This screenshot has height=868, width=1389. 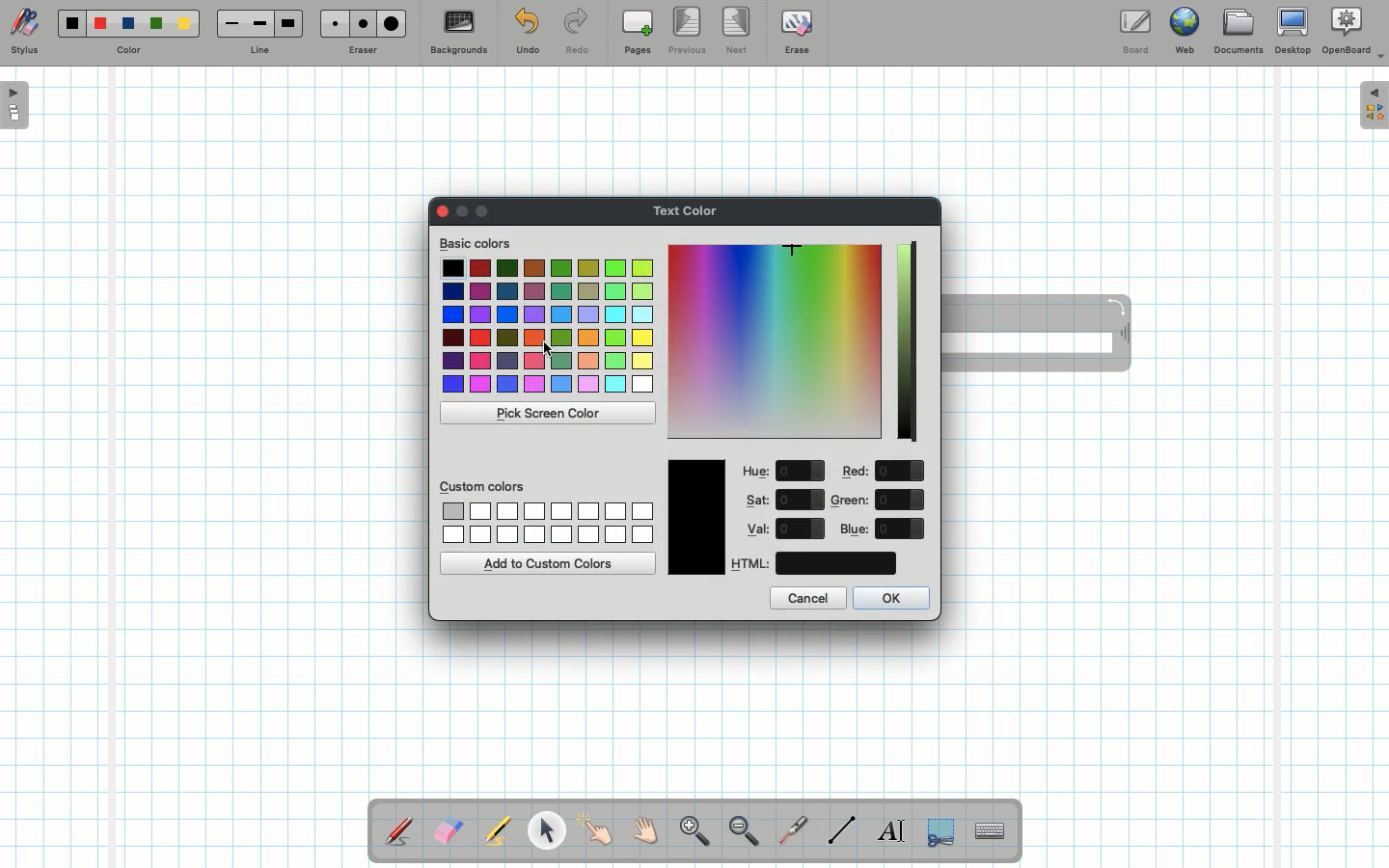 What do you see at coordinates (912, 343) in the screenshot?
I see `Darkness` at bounding box center [912, 343].